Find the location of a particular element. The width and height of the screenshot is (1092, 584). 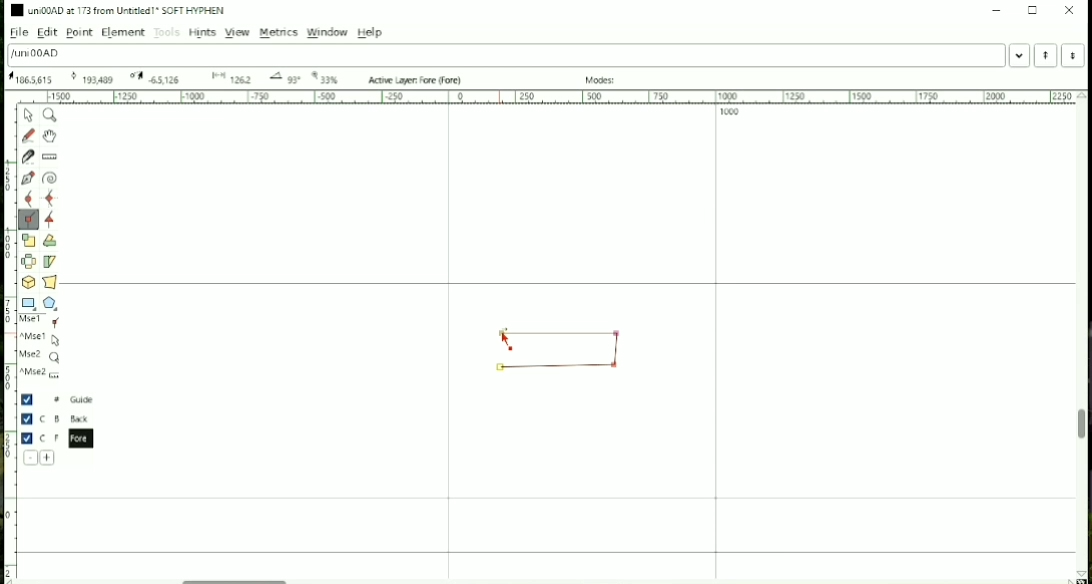

Vertical scale is located at coordinates (10, 336).